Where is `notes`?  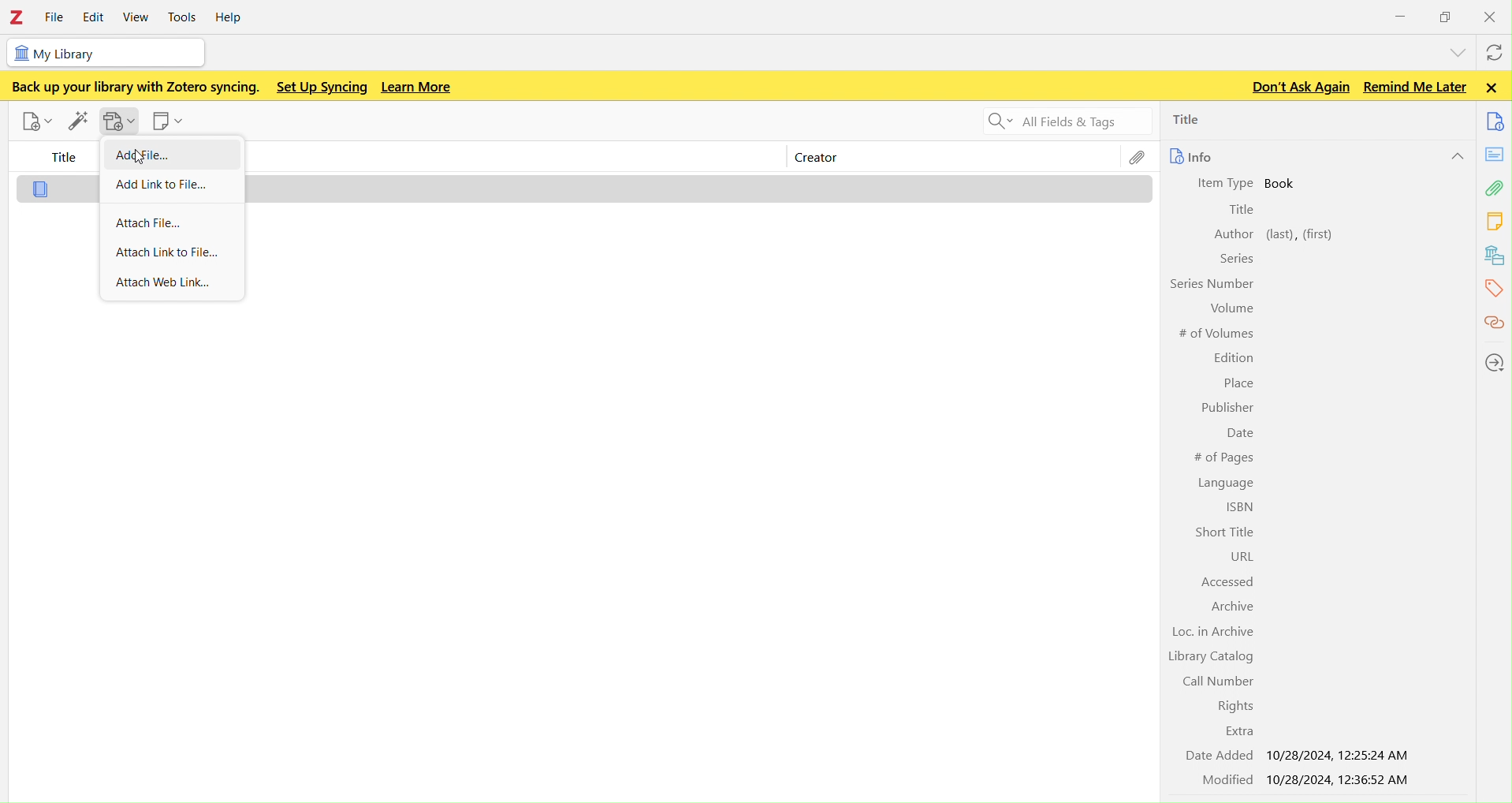 notes is located at coordinates (1496, 220).